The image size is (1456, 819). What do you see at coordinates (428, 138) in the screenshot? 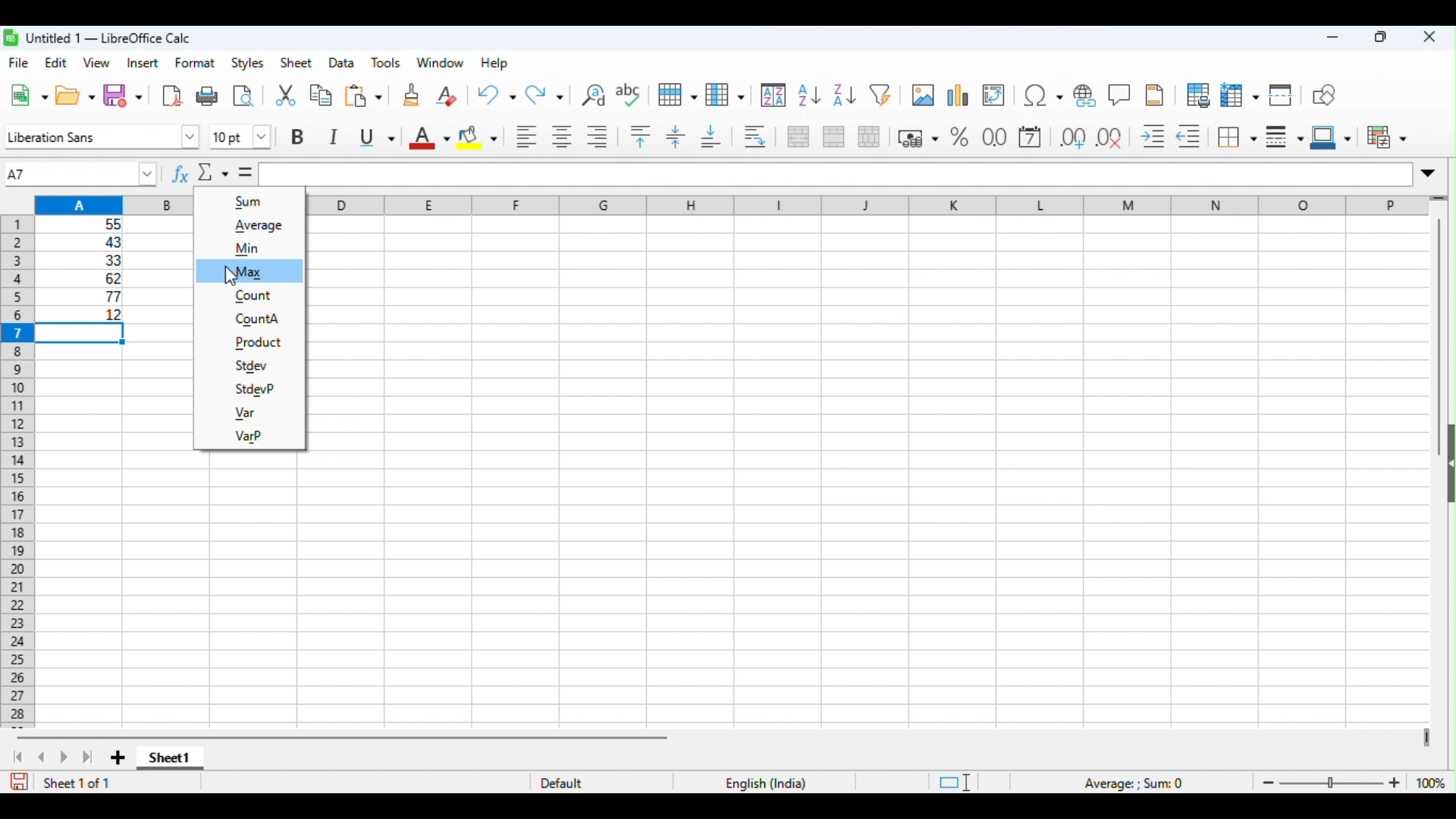
I see `font color` at bounding box center [428, 138].